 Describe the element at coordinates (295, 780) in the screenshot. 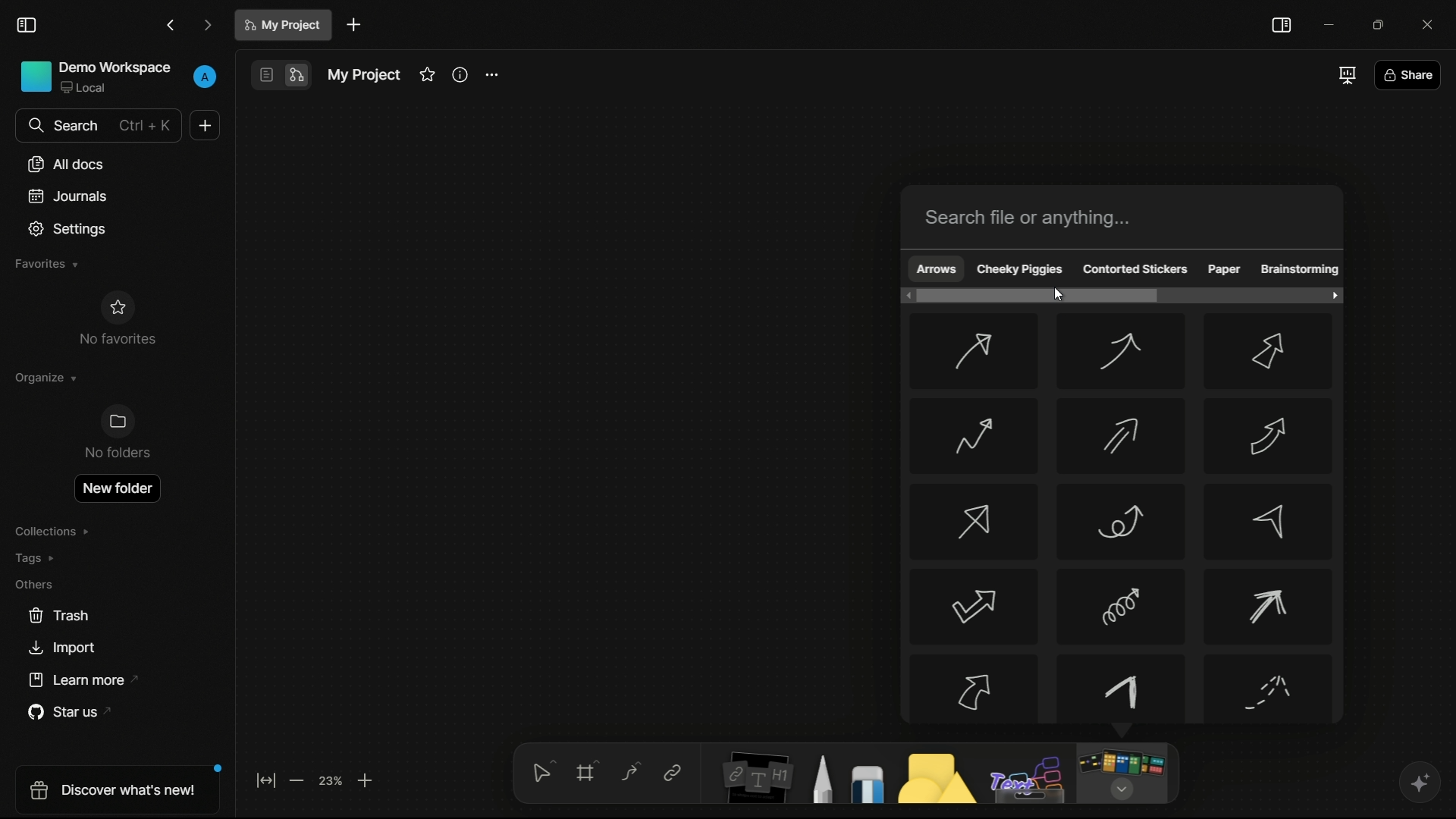

I see `zoom out` at that location.